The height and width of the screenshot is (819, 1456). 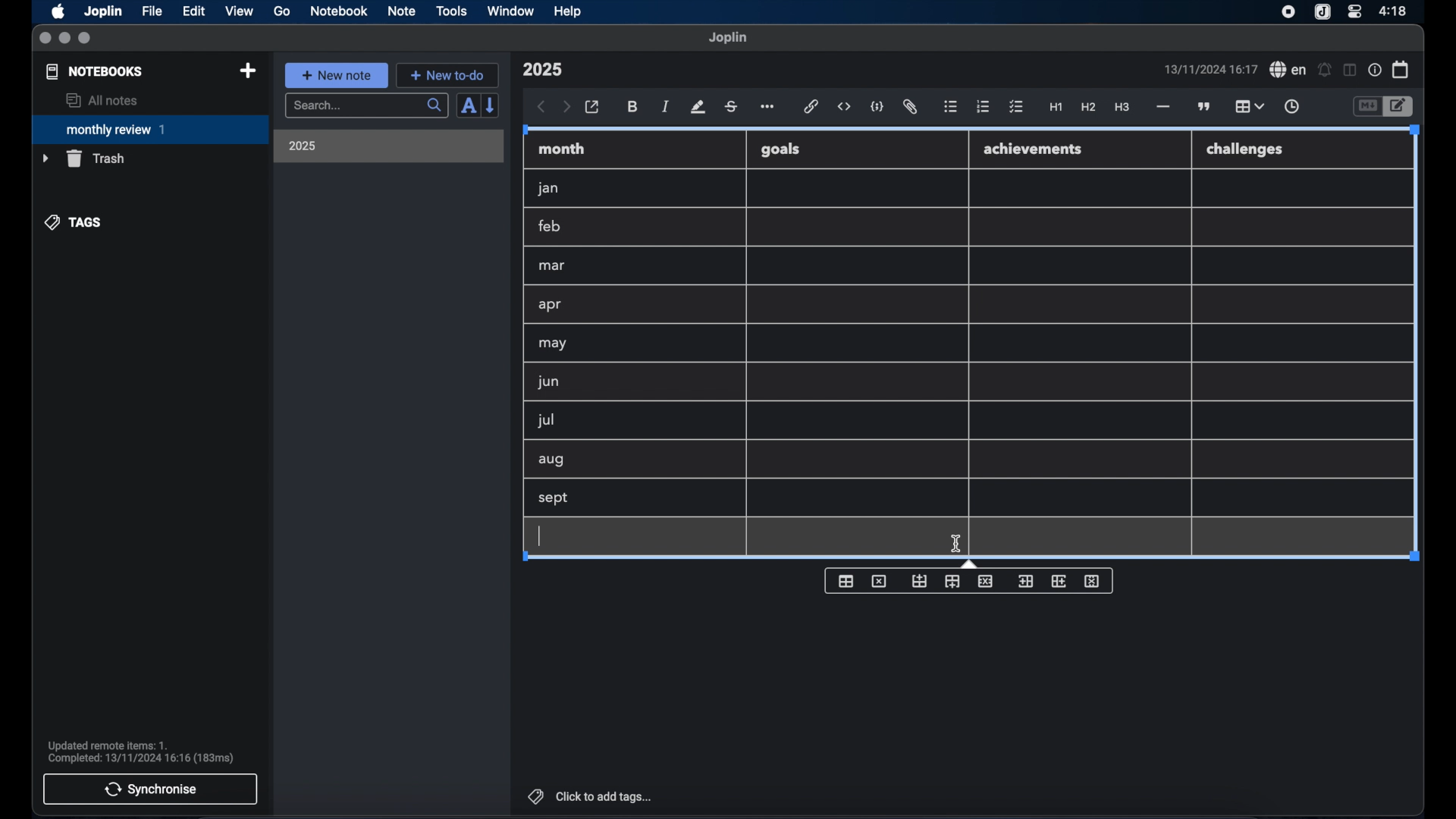 What do you see at coordinates (985, 582) in the screenshot?
I see `delete row` at bounding box center [985, 582].